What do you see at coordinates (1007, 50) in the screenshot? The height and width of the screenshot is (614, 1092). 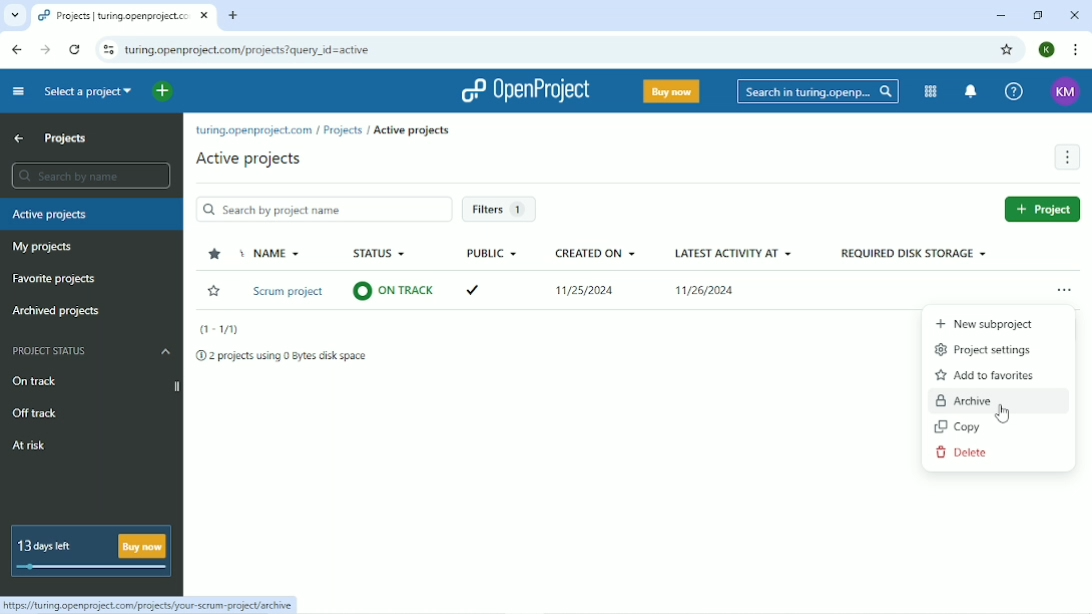 I see `Bookmark this tab` at bounding box center [1007, 50].